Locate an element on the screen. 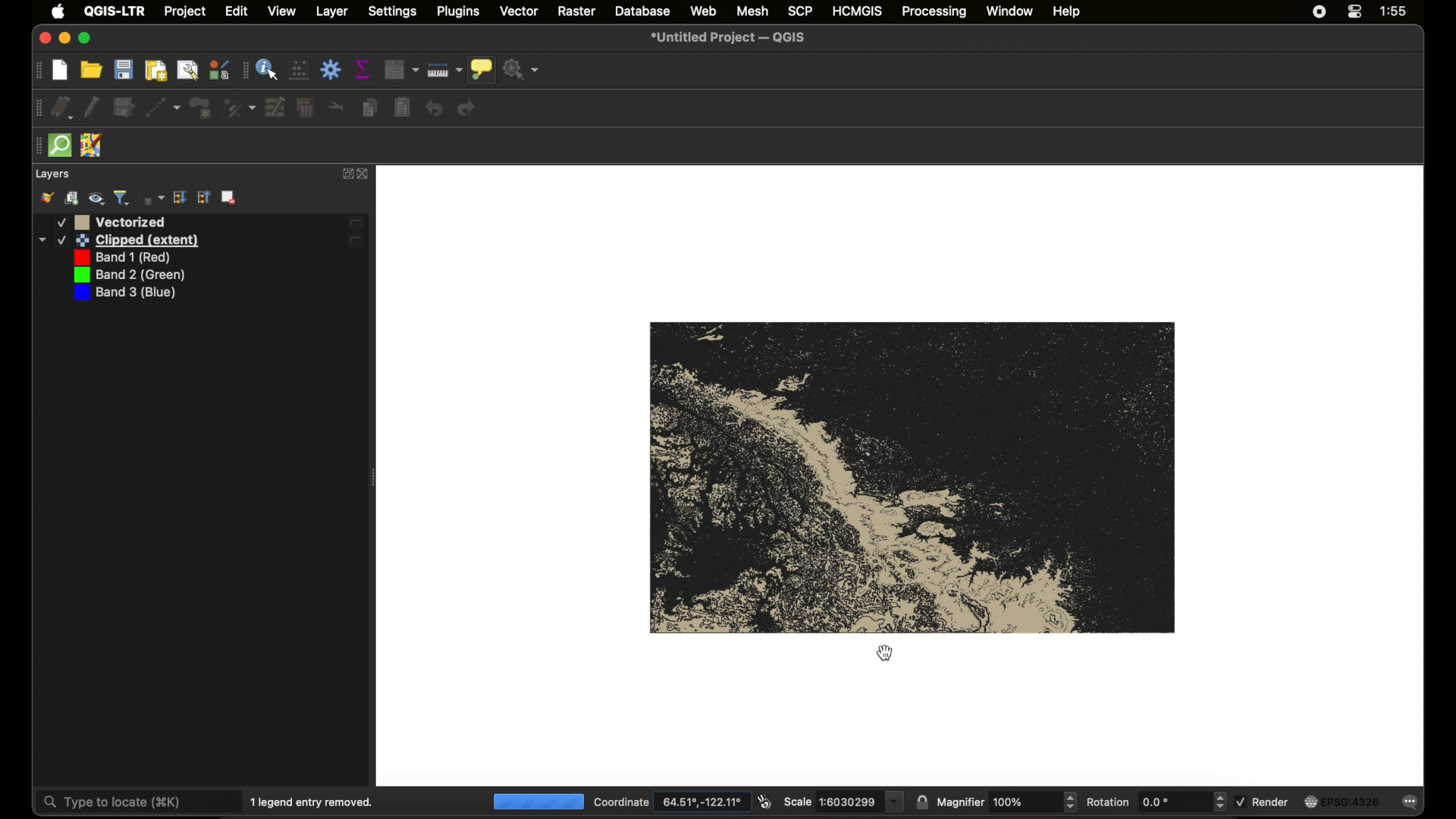 The image size is (1456, 819). toolbox is located at coordinates (330, 70).